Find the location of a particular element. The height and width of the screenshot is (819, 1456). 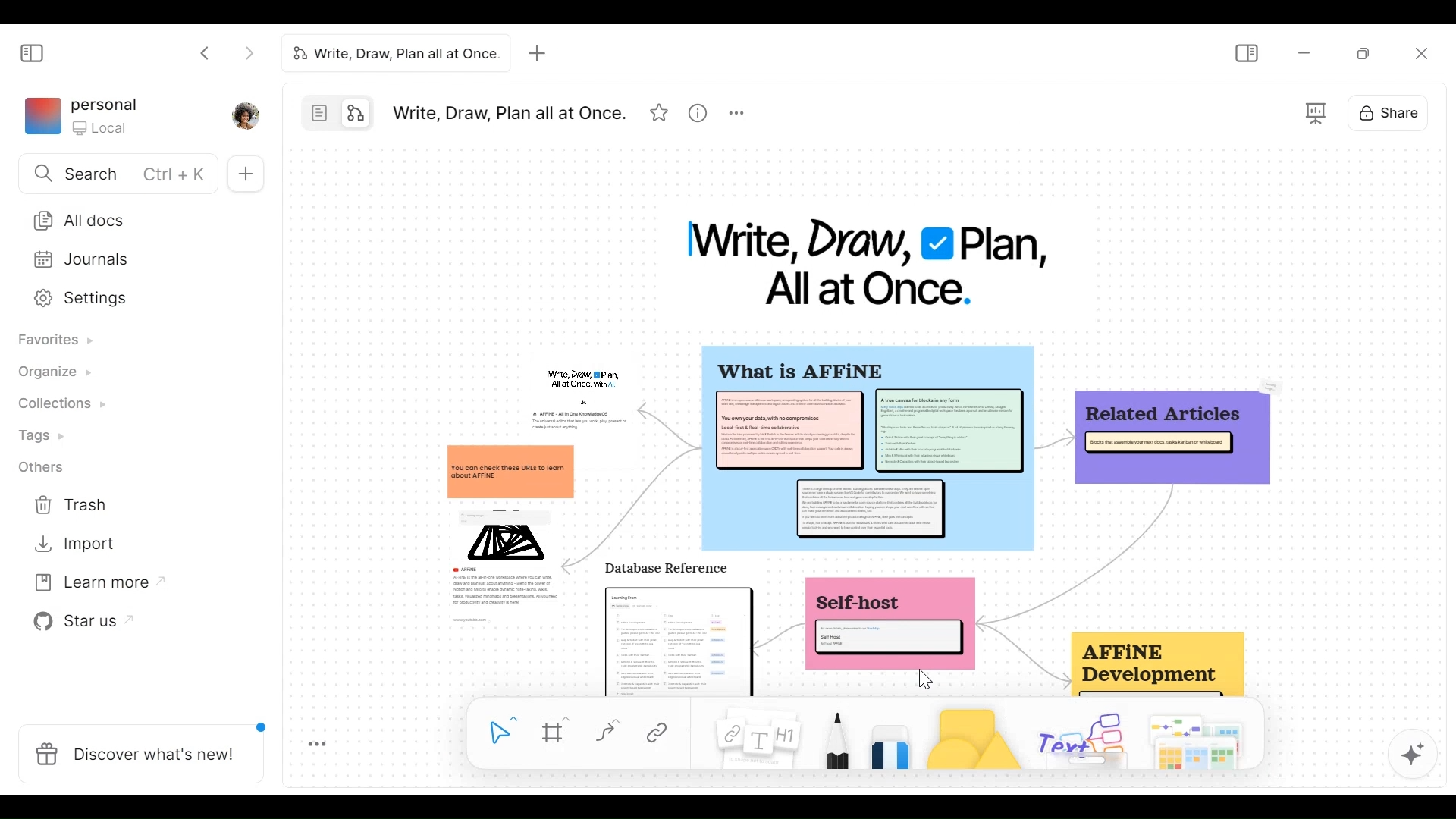

Share is located at coordinates (1387, 112).